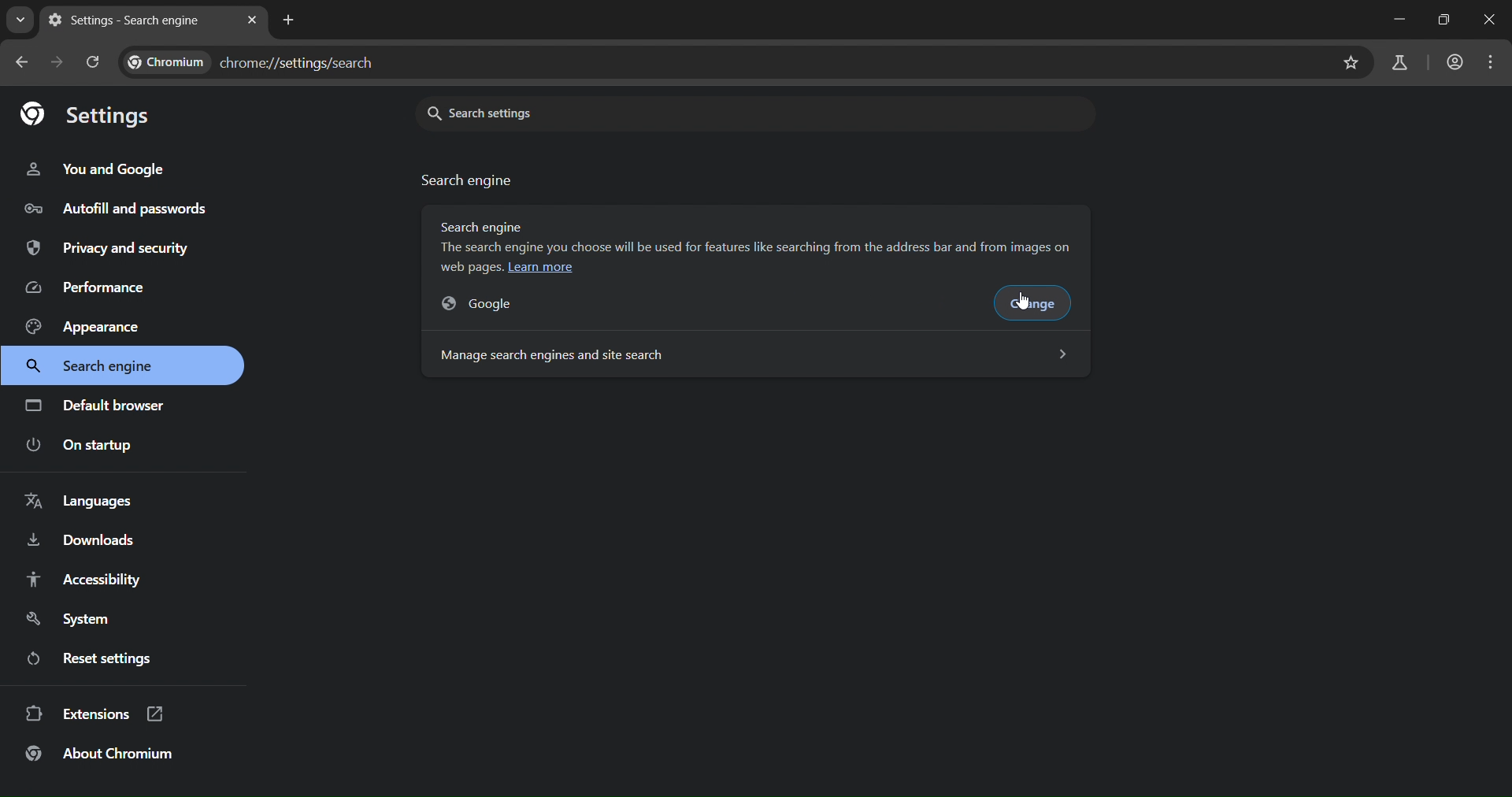 The image size is (1512, 797). I want to click on cursor, so click(1026, 303).